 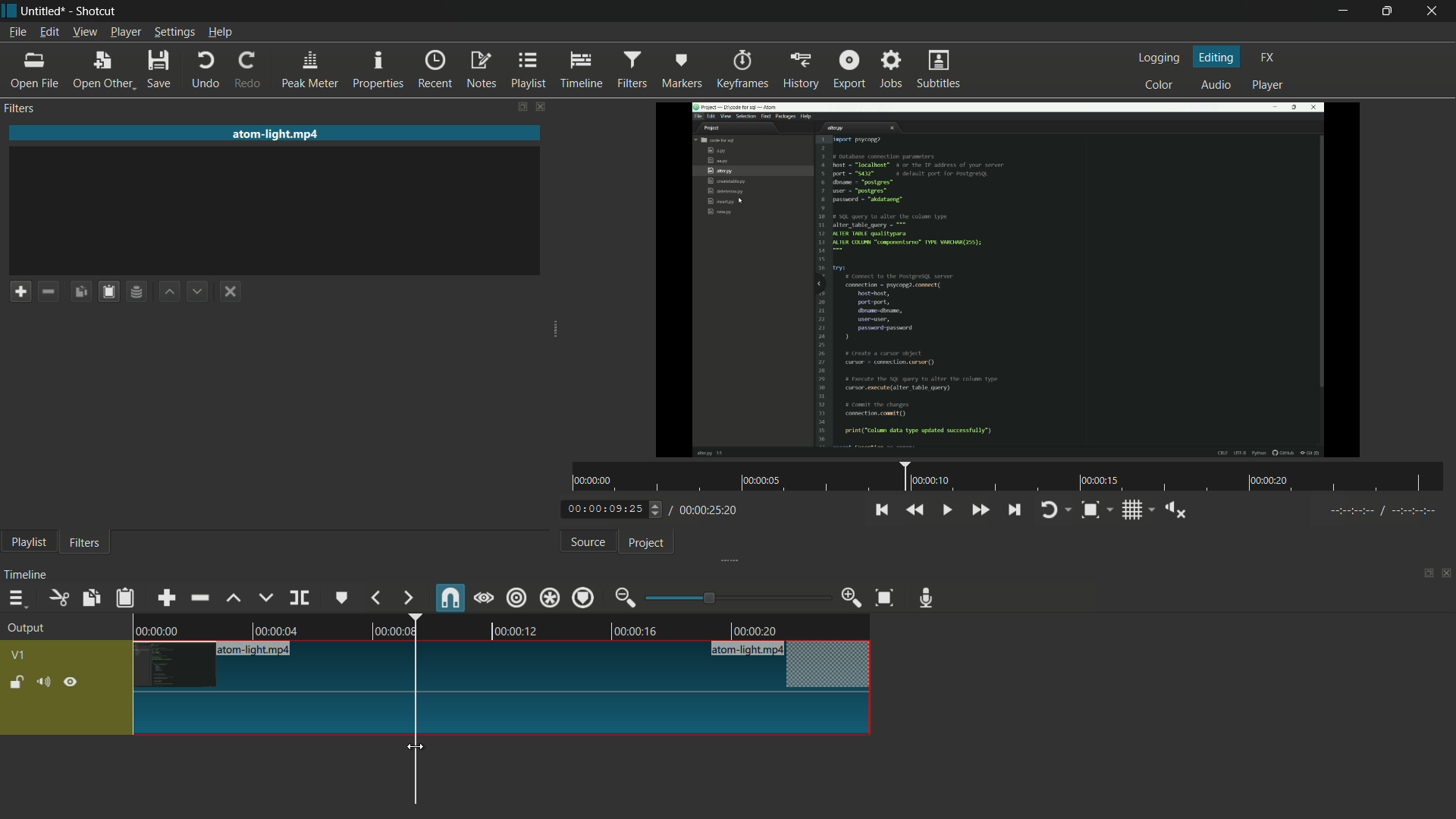 What do you see at coordinates (202, 290) in the screenshot?
I see `move filter down` at bounding box center [202, 290].